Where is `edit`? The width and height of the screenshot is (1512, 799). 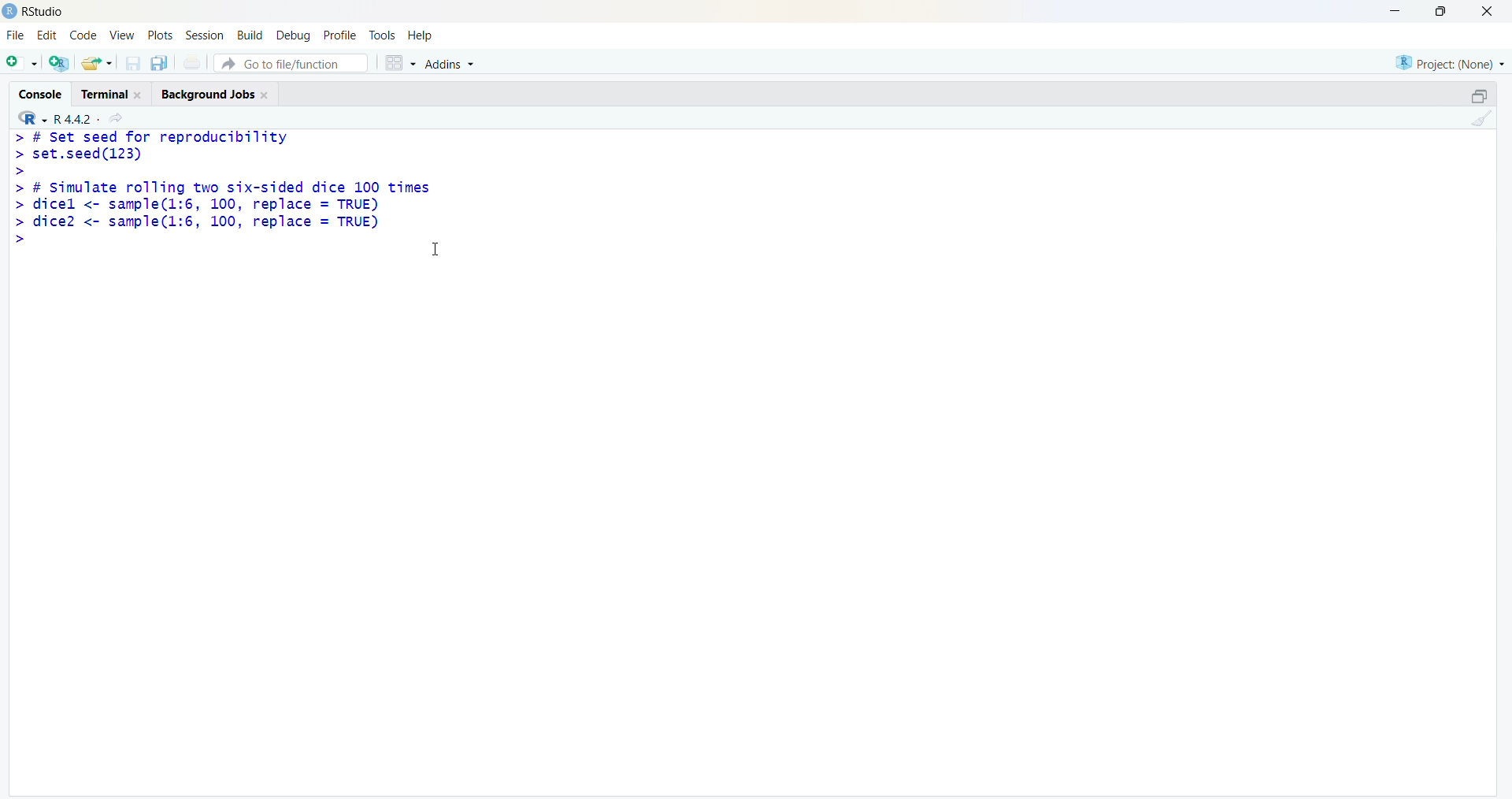
edit is located at coordinates (47, 35).